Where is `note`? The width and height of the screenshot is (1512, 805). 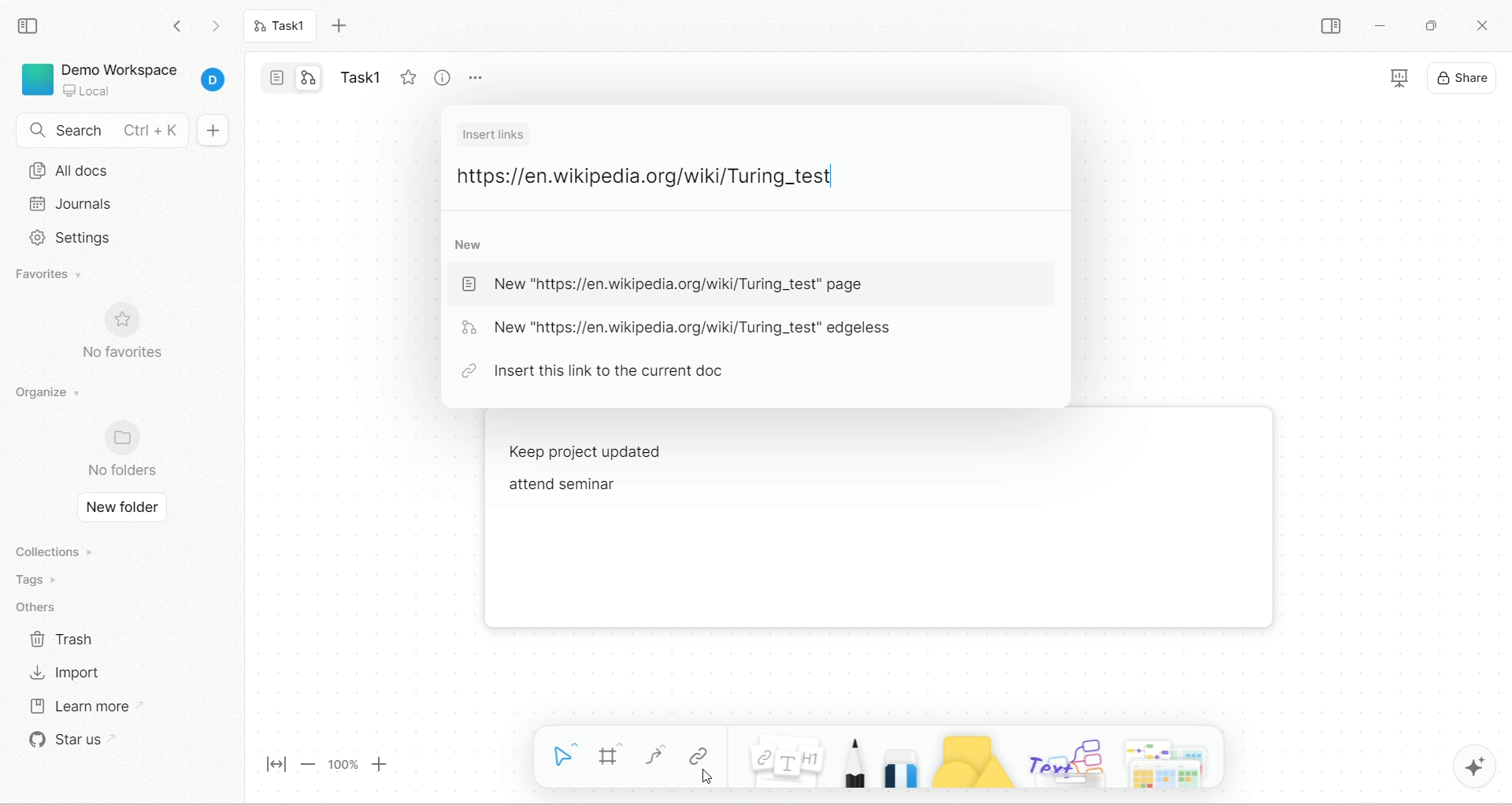
note is located at coordinates (786, 762).